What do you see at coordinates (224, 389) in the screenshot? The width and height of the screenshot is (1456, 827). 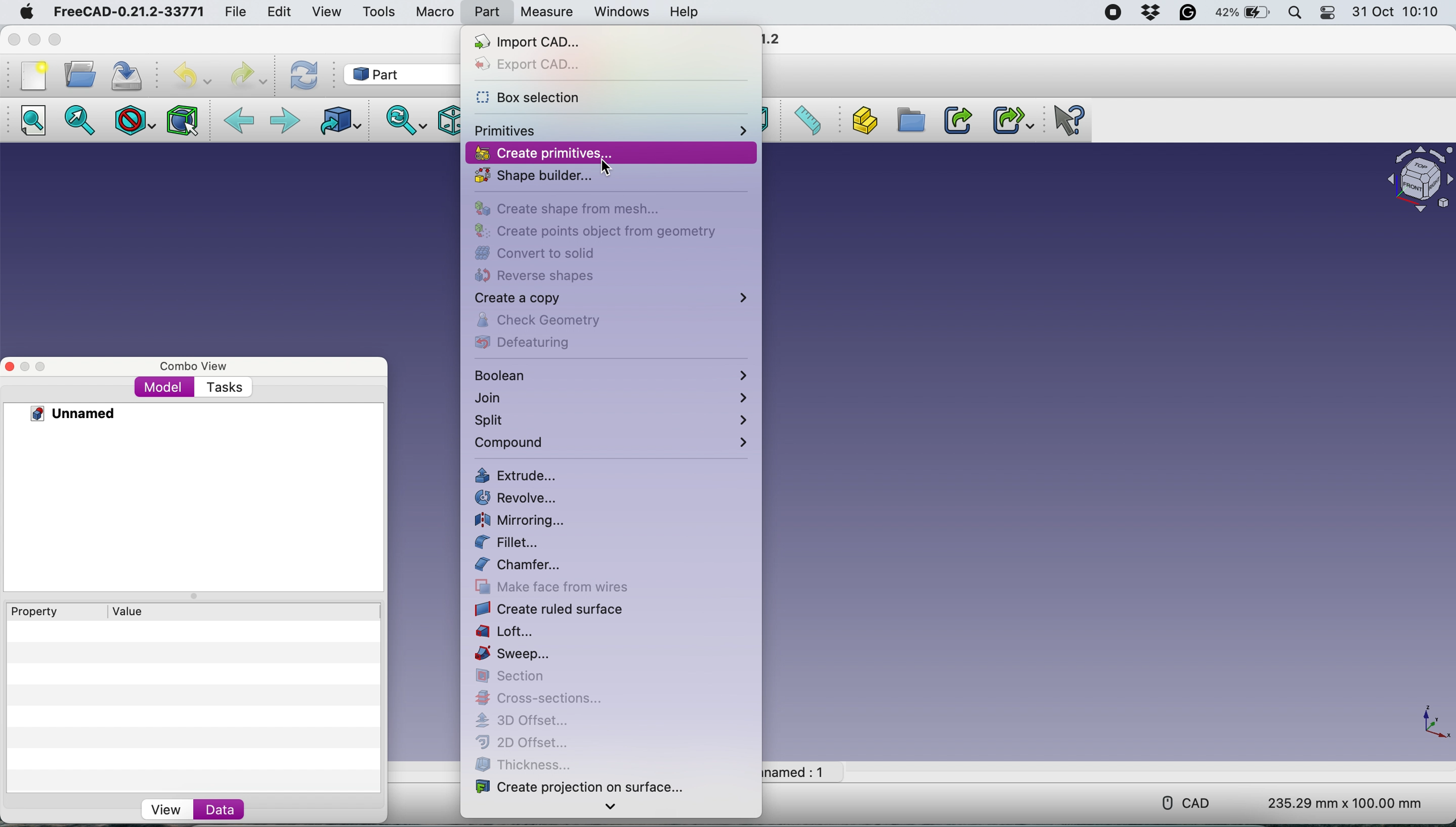 I see `Tasks` at bounding box center [224, 389].